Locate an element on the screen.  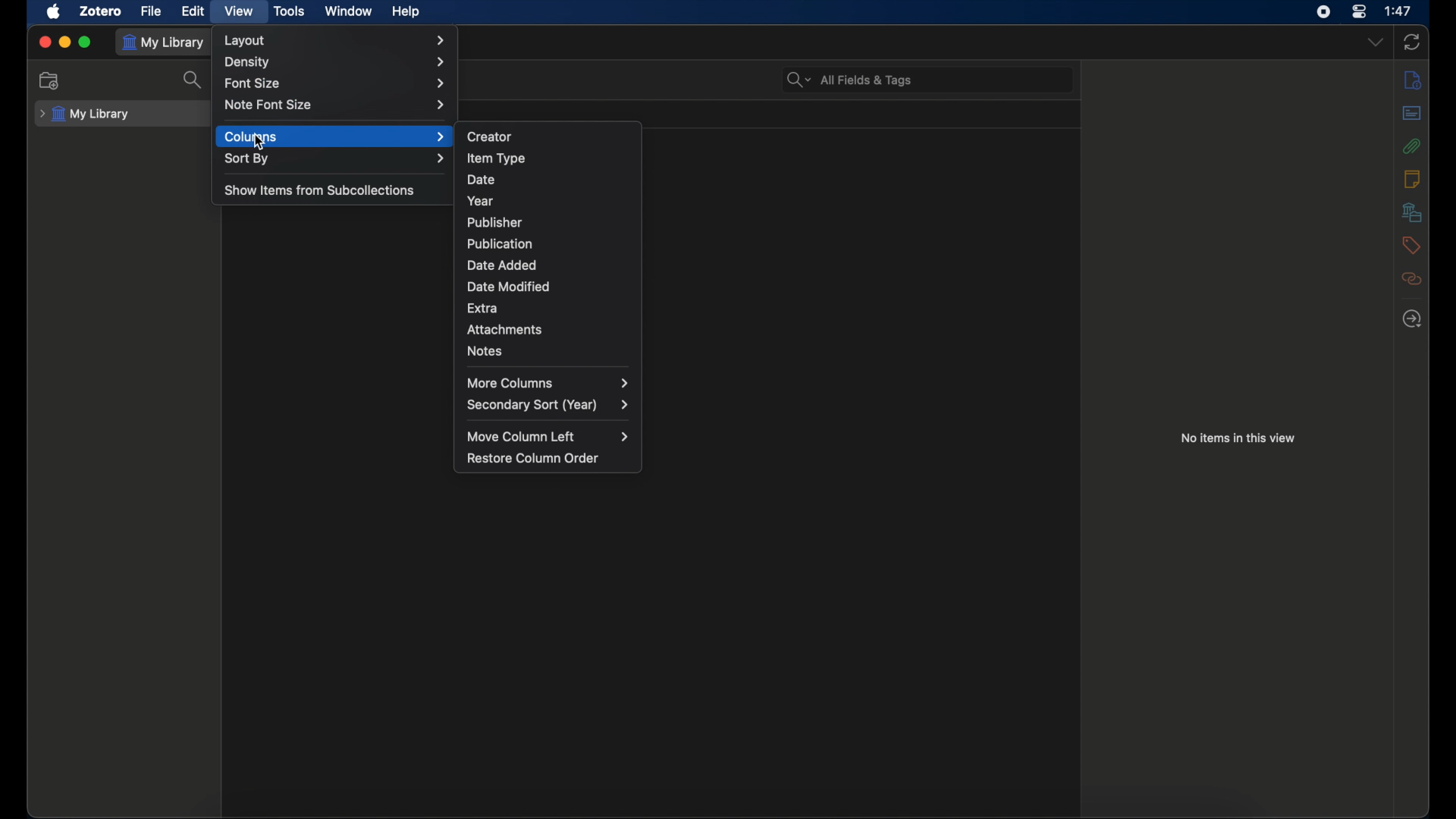
maximize is located at coordinates (86, 42).